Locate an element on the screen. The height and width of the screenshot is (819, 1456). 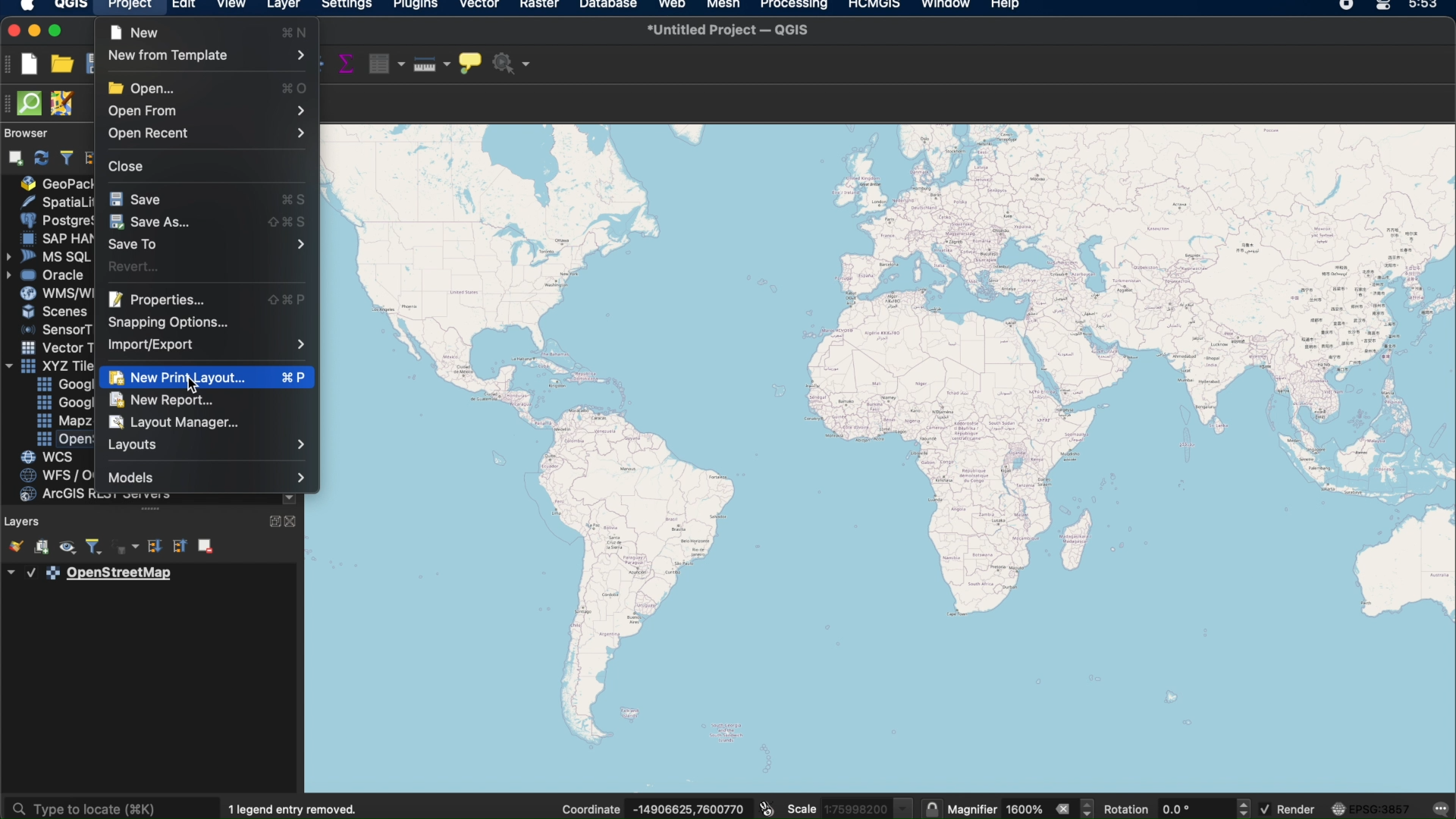
vector is located at coordinates (480, 6).